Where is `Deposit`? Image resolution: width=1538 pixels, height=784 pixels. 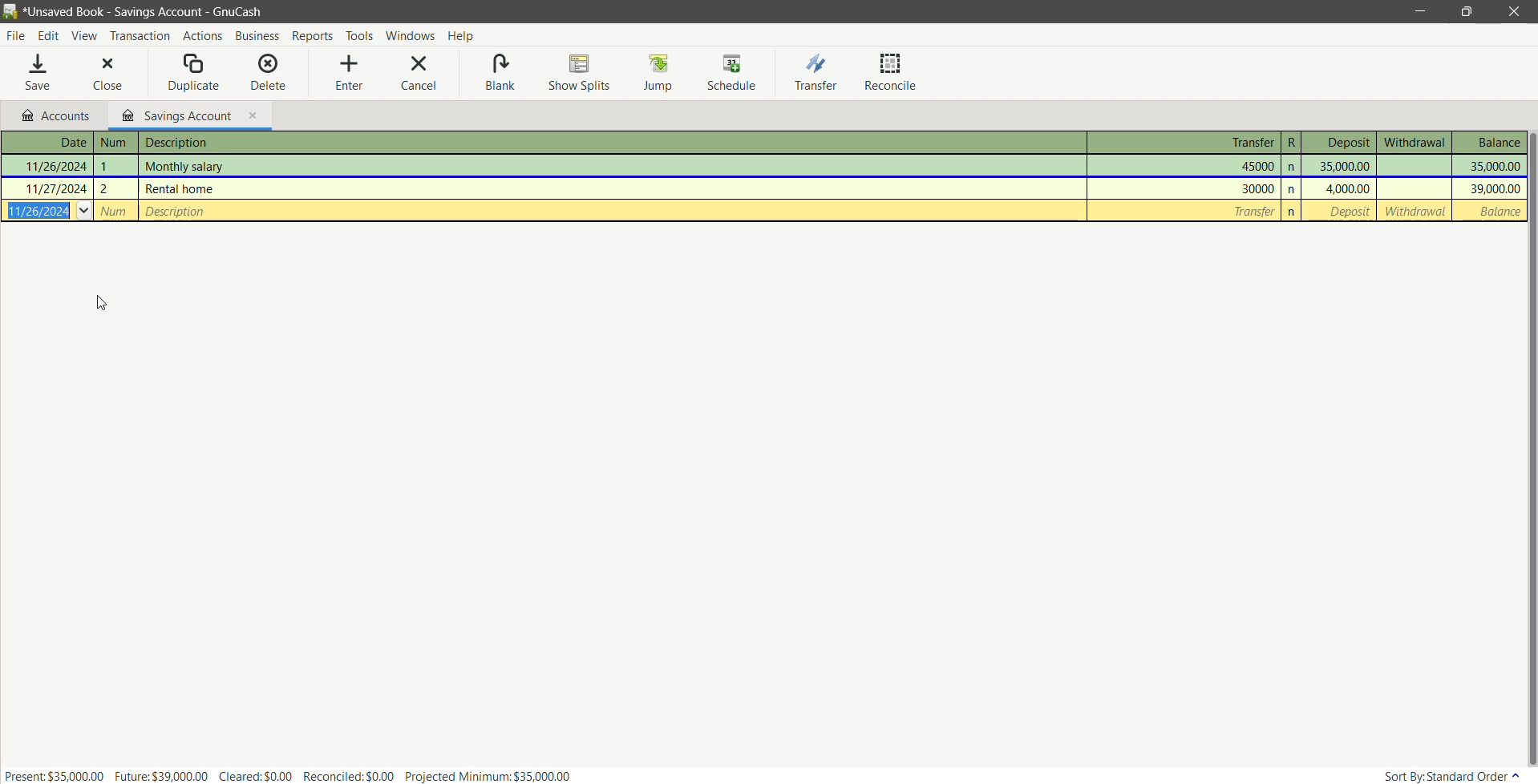
Deposit is located at coordinates (1340, 143).